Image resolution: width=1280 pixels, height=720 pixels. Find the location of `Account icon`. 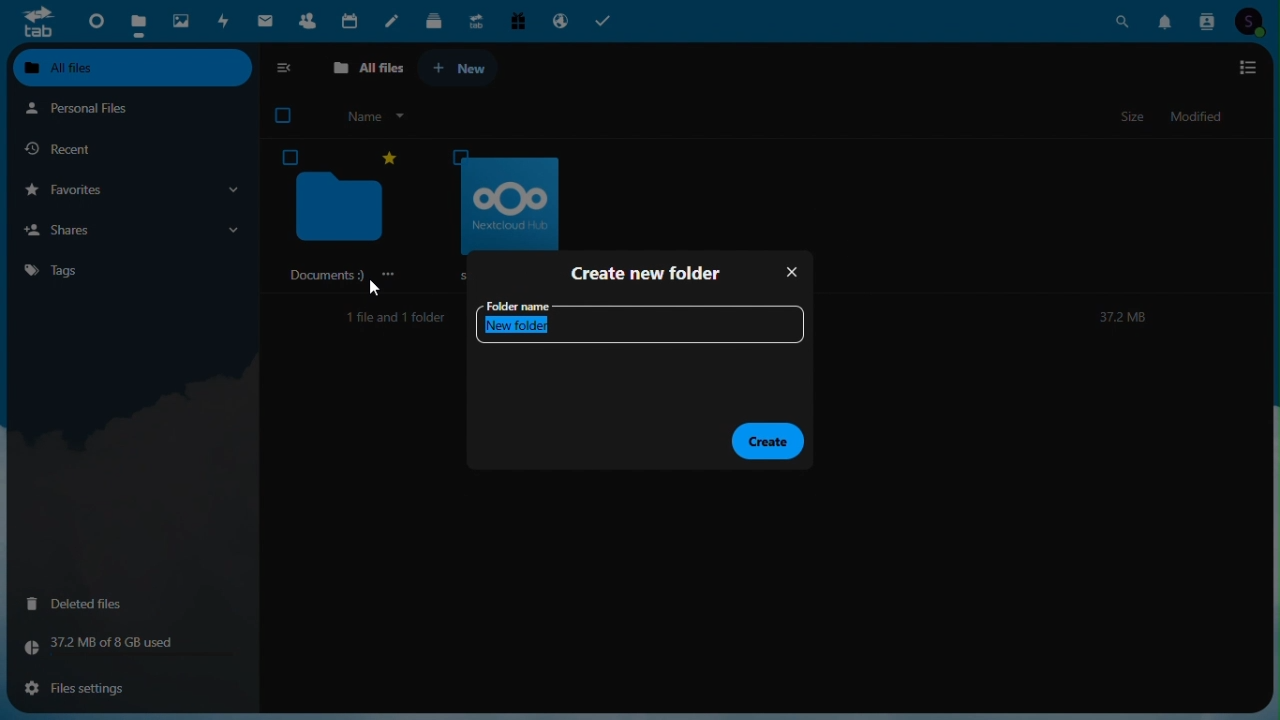

Account icon is located at coordinates (1255, 20).